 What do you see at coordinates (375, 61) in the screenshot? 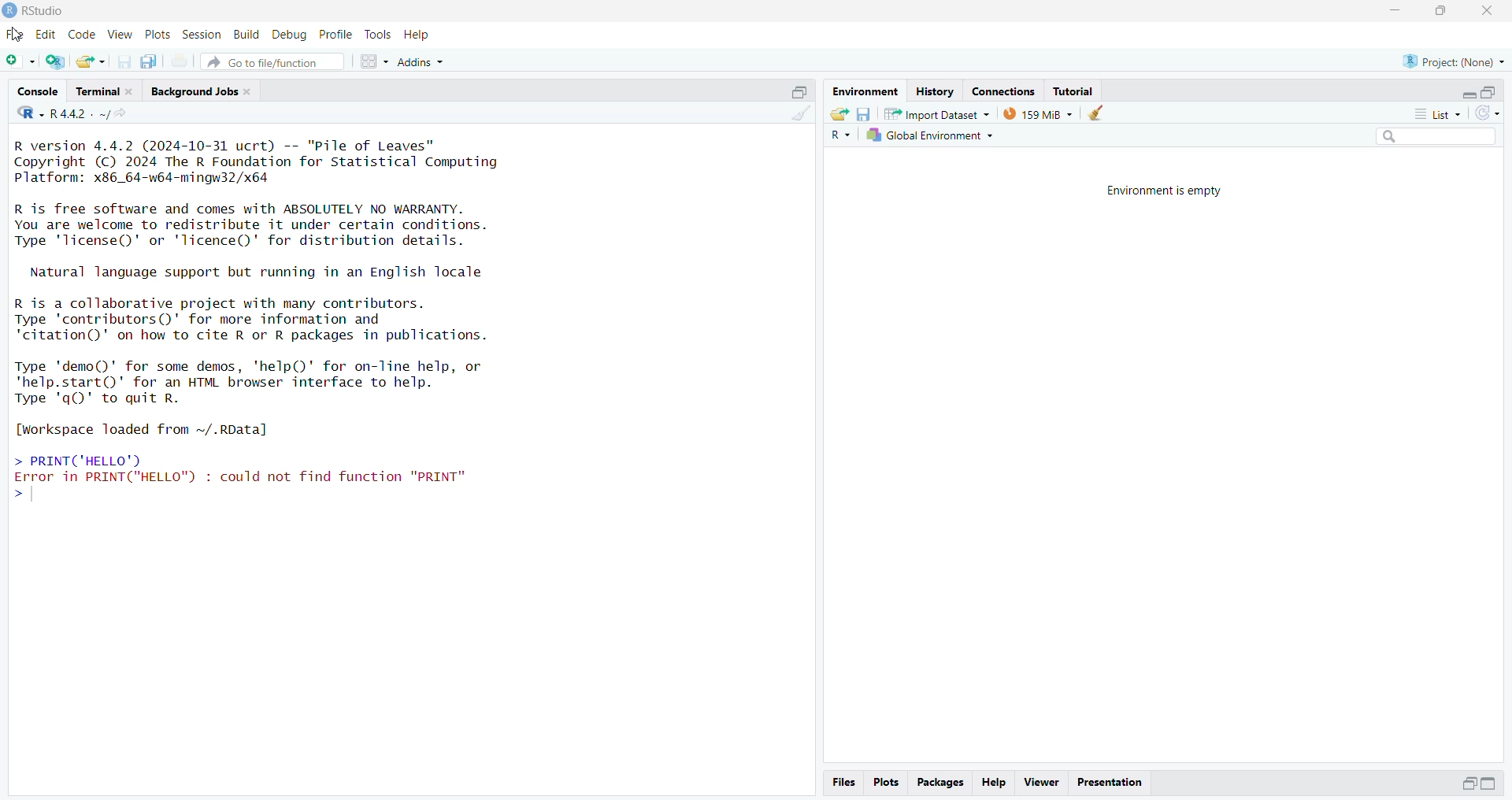
I see `workspace panes` at bounding box center [375, 61].